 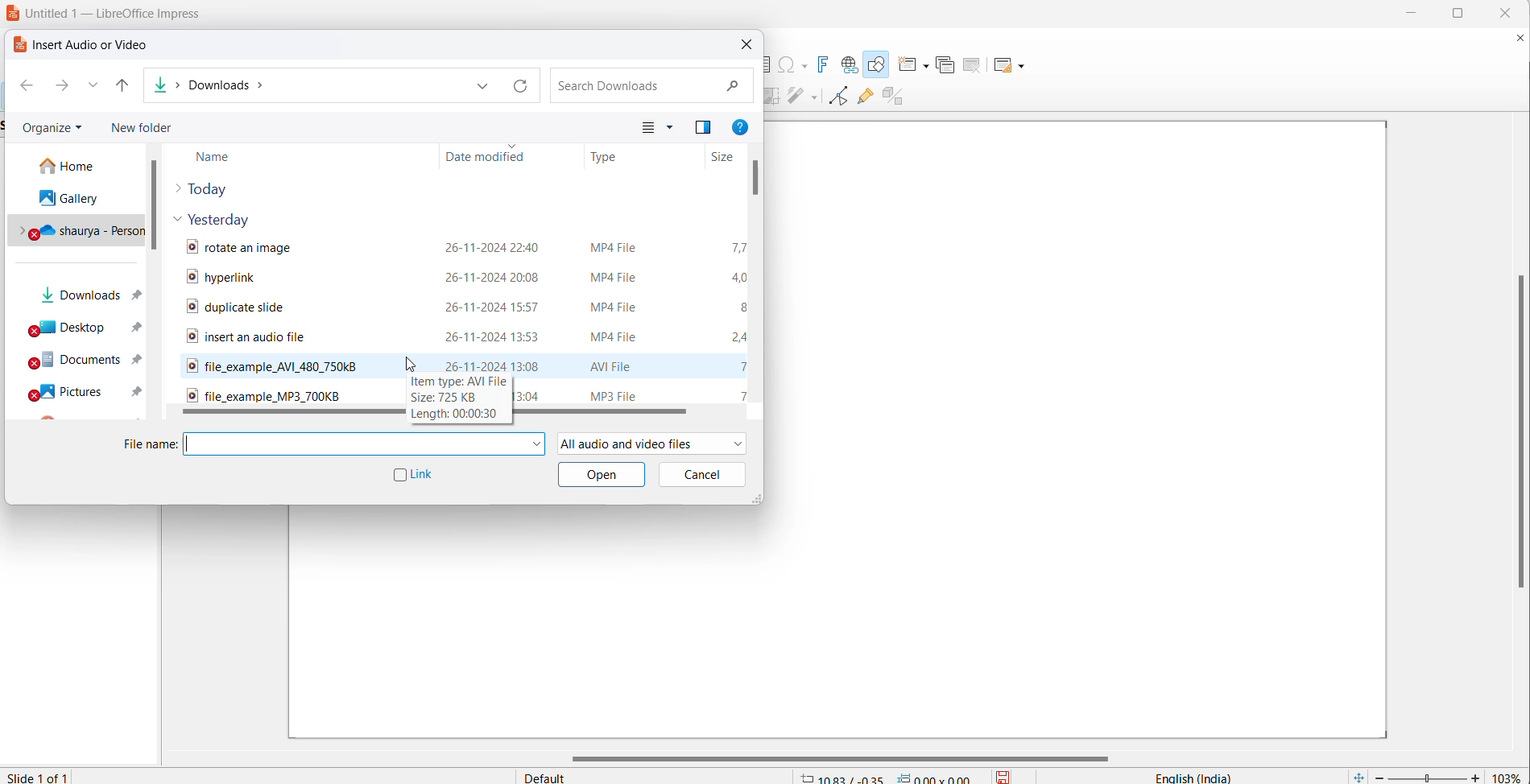 I want to click on duplicate slide, so click(x=949, y=64).